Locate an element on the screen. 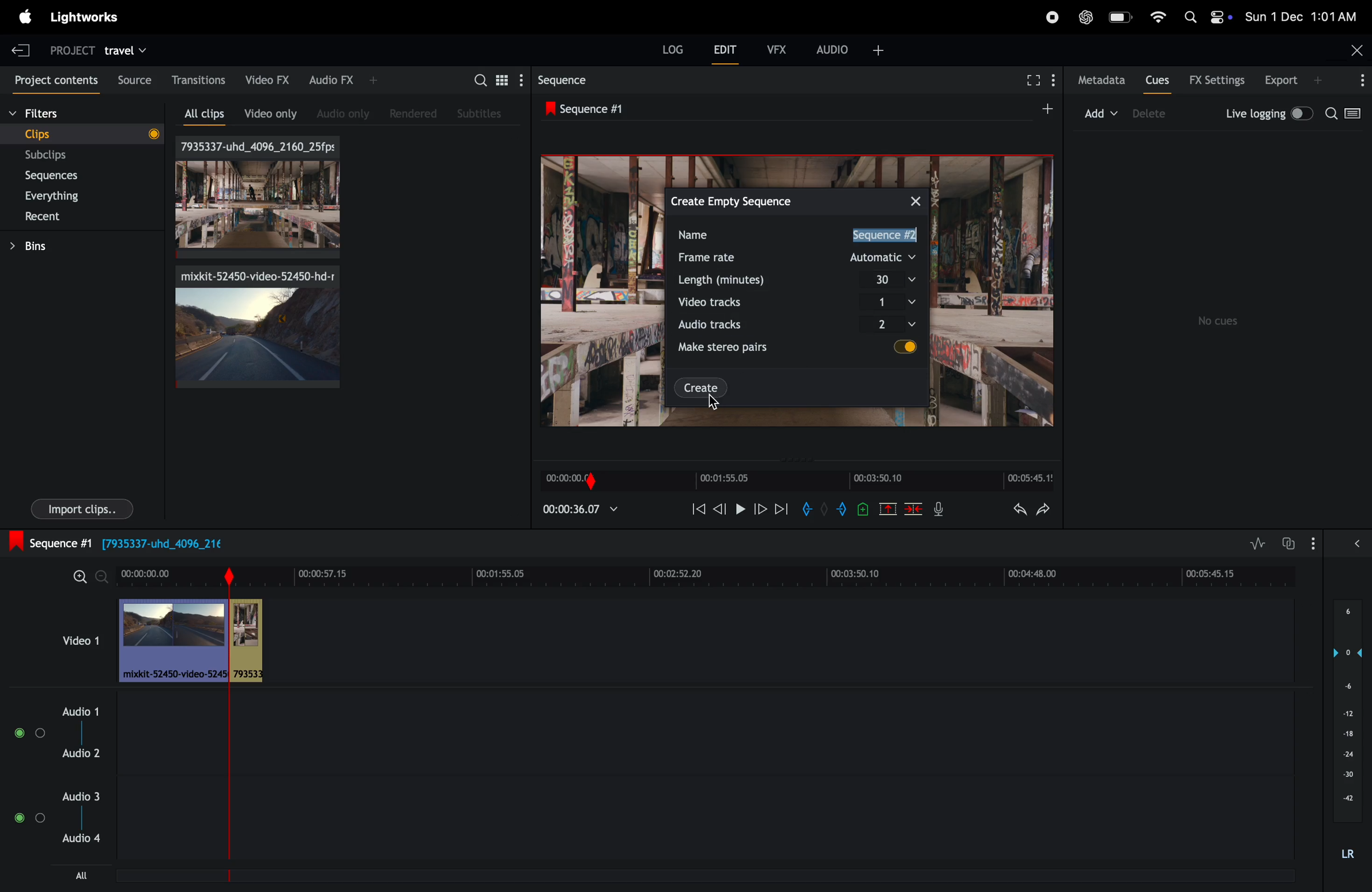 This screenshot has height=892, width=1372. zoom in zoom out is located at coordinates (89, 575).